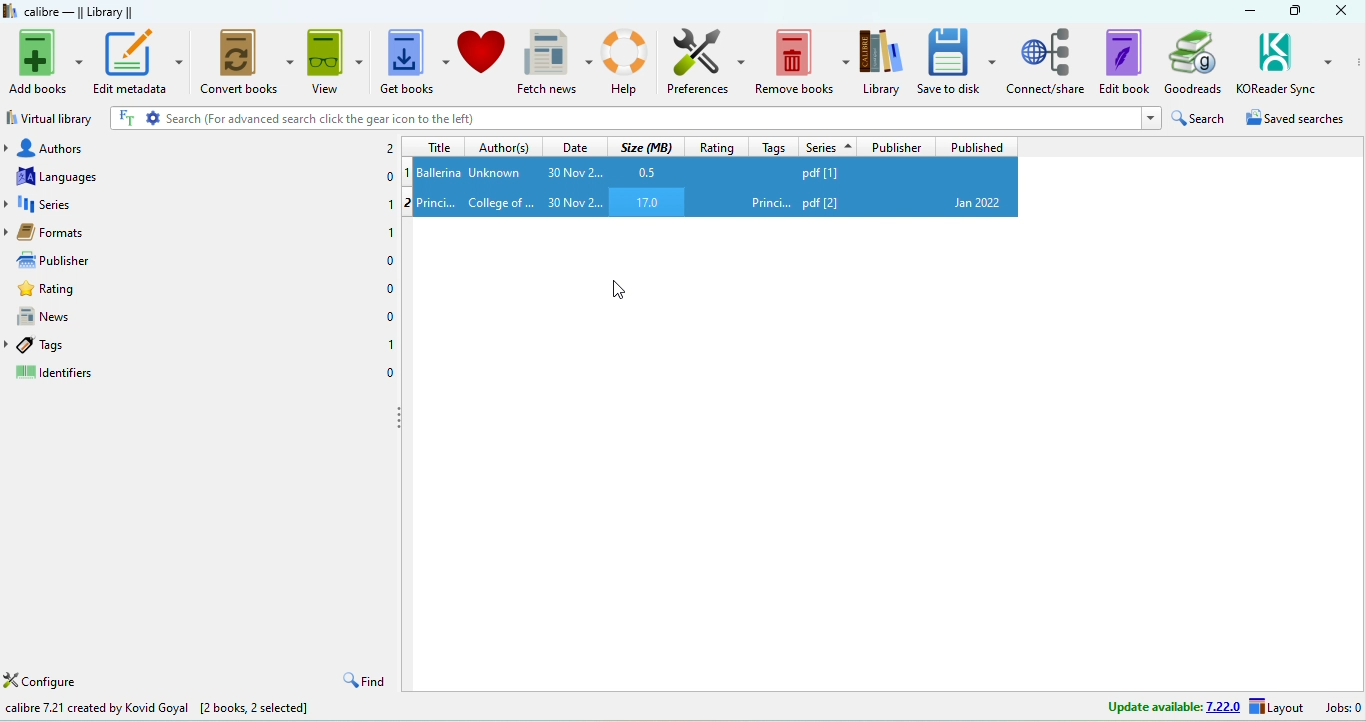 Image resolution: width=1366 pixels, height=722 pixels. I want to click on jan 2022, so click(979, 203).